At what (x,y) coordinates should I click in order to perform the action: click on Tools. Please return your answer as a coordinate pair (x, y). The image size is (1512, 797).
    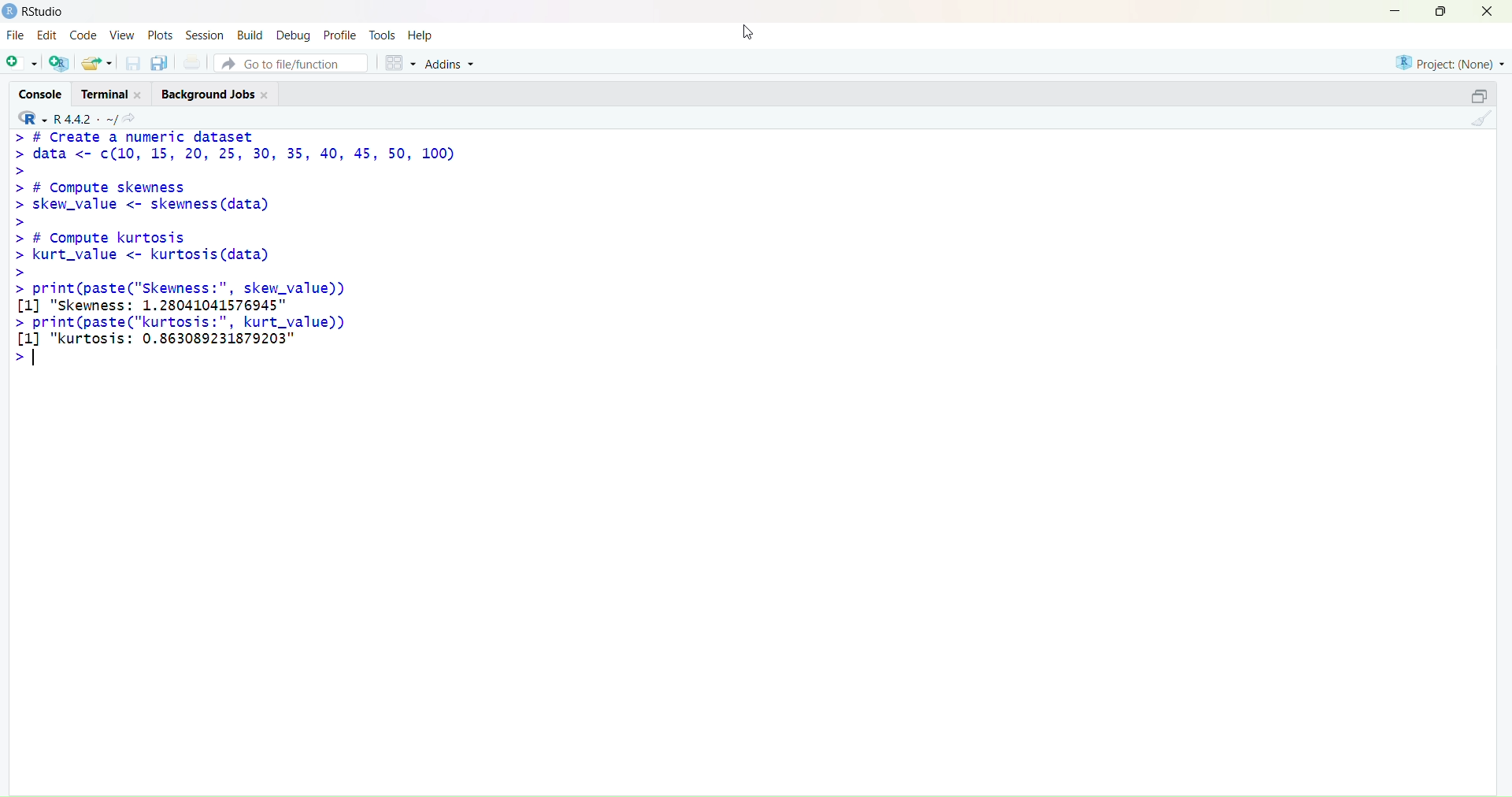
    Looking at the image, I should click on (383, 32).